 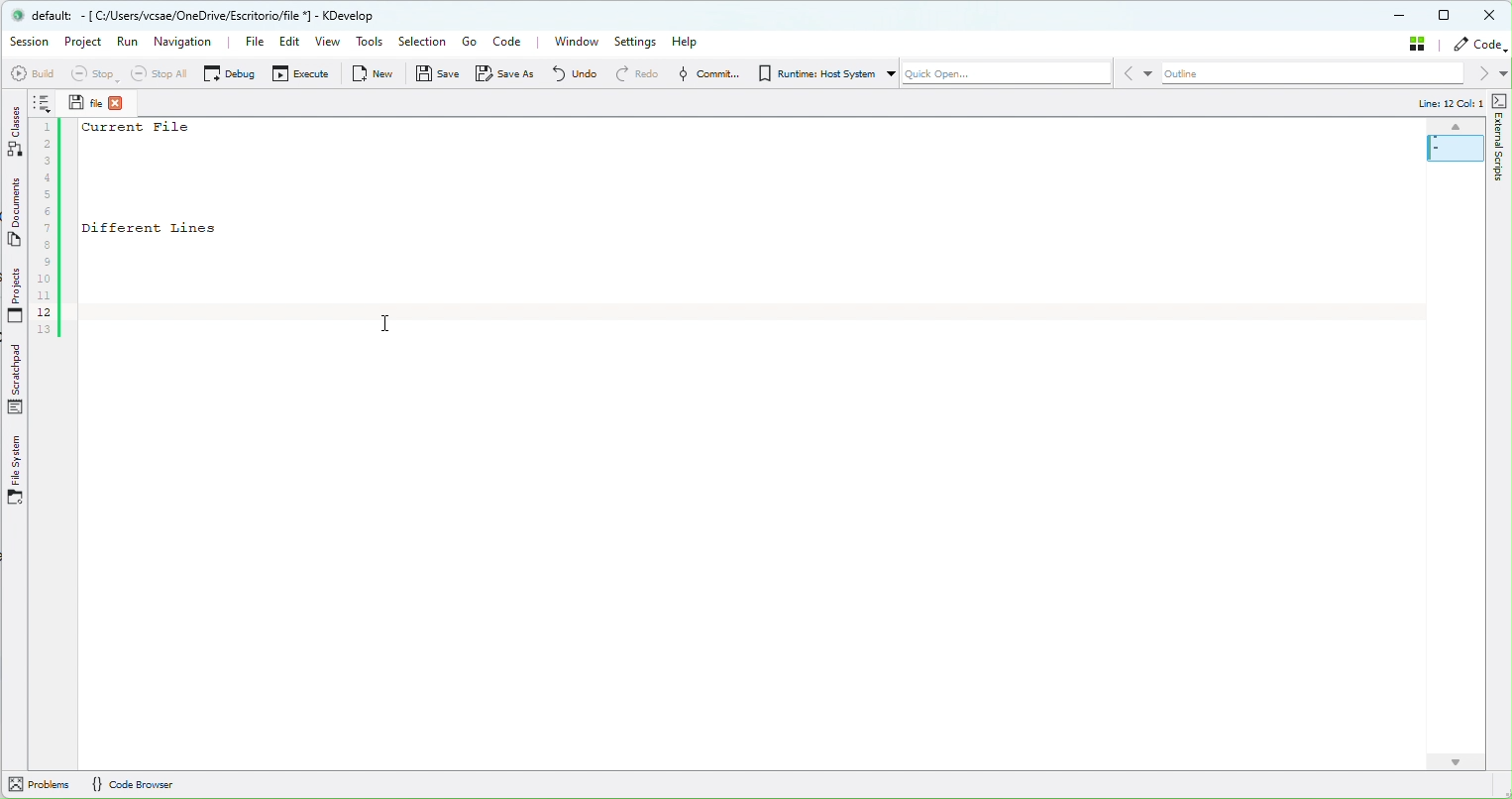 I want to click on Outline, so click(x=1314, y=73).